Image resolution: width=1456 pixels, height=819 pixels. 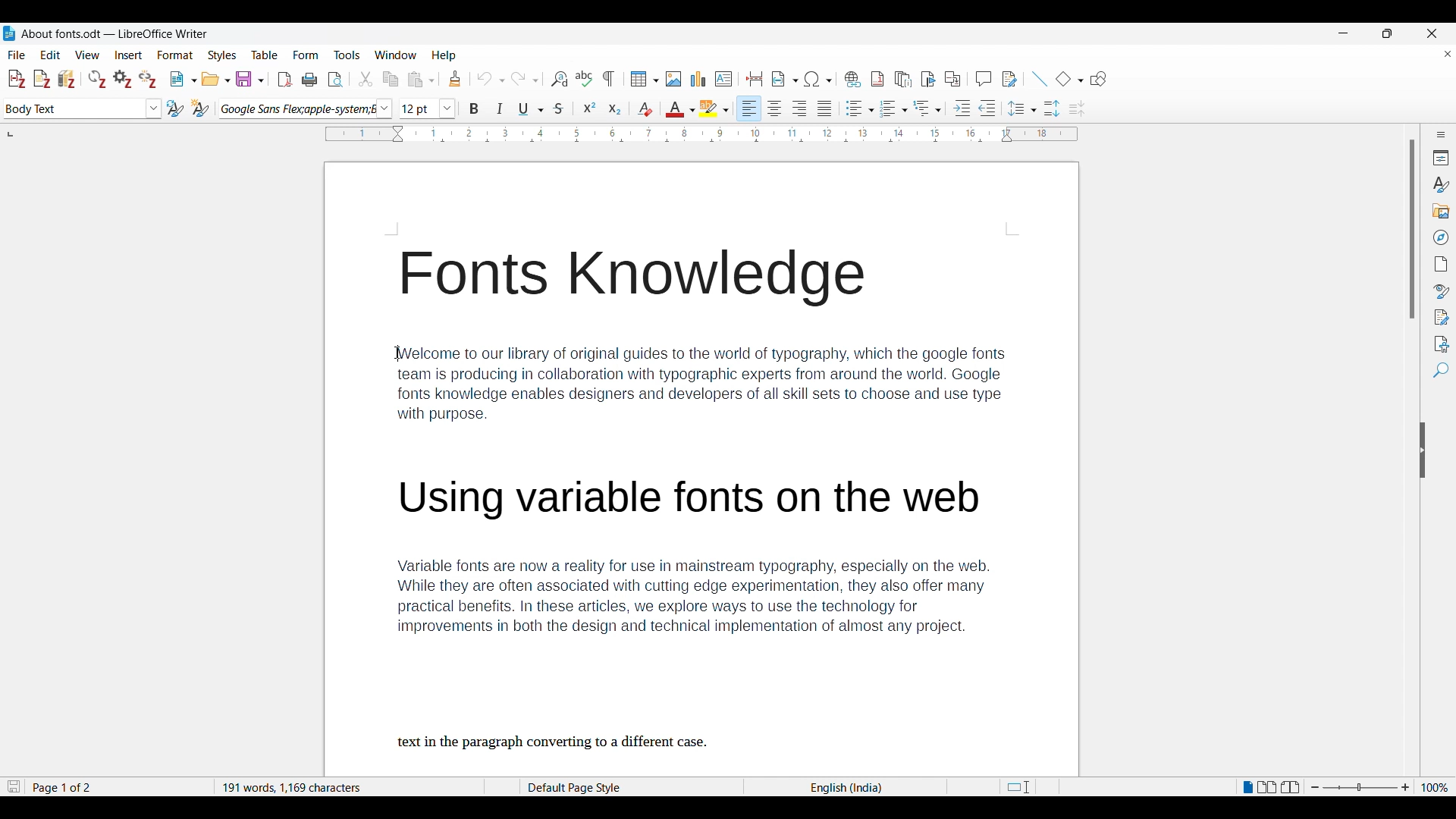 I want to click on Software logo, so click(x=9, y=33).